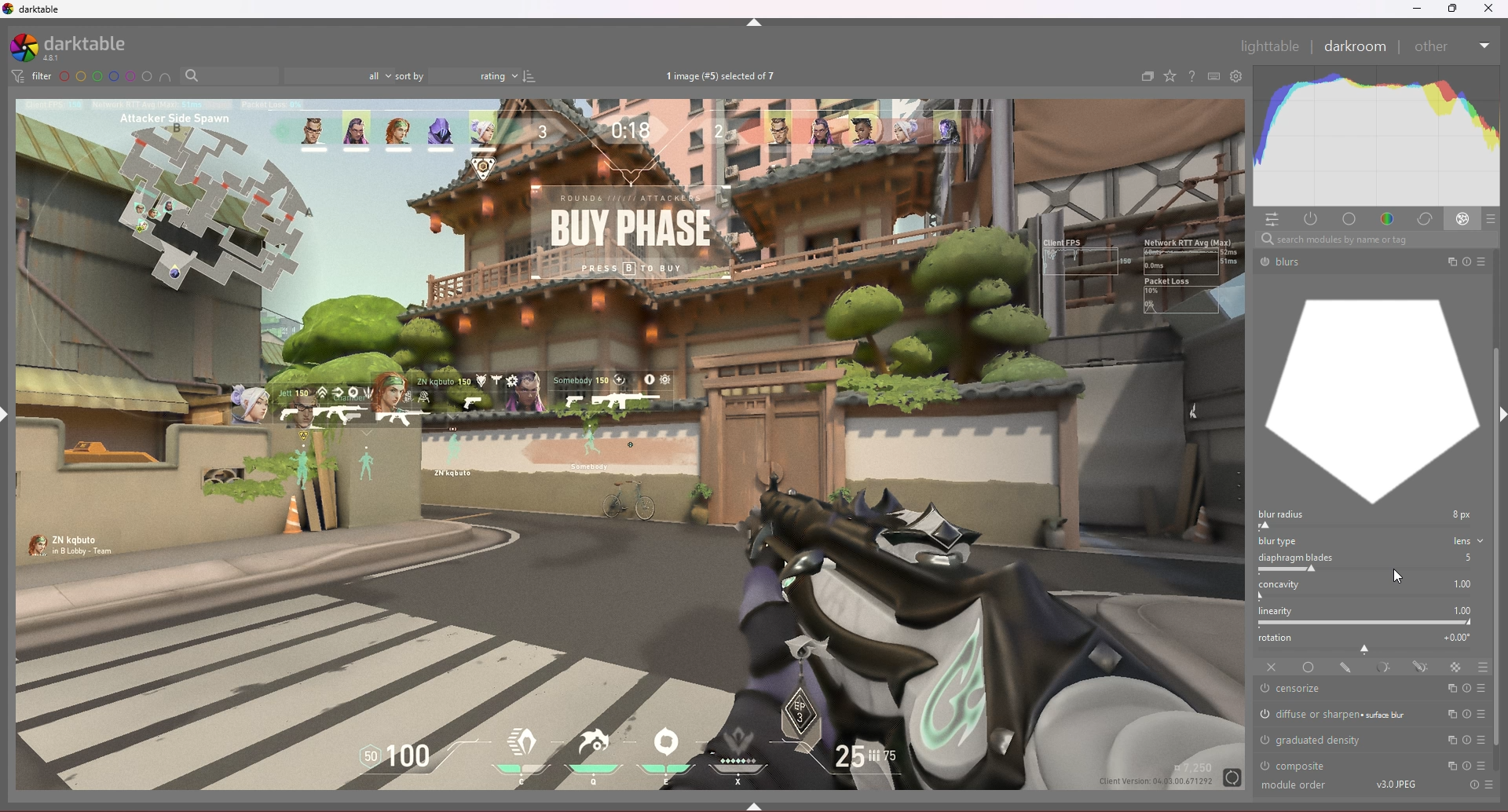 The image size is (1508, 812). I want to click on active modules, so click(1311, 219).